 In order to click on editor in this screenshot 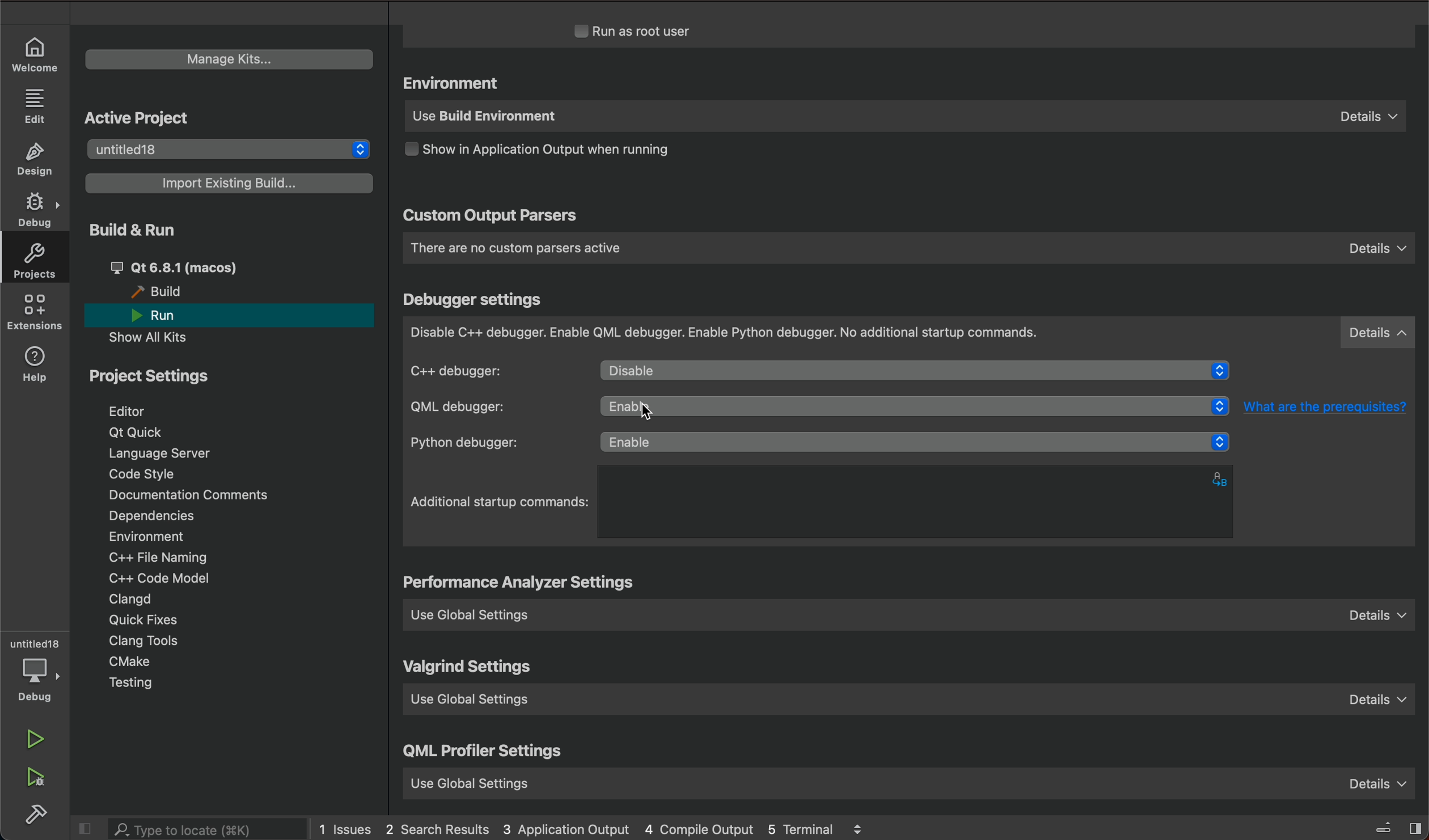, I will do `click(130, 411)`.